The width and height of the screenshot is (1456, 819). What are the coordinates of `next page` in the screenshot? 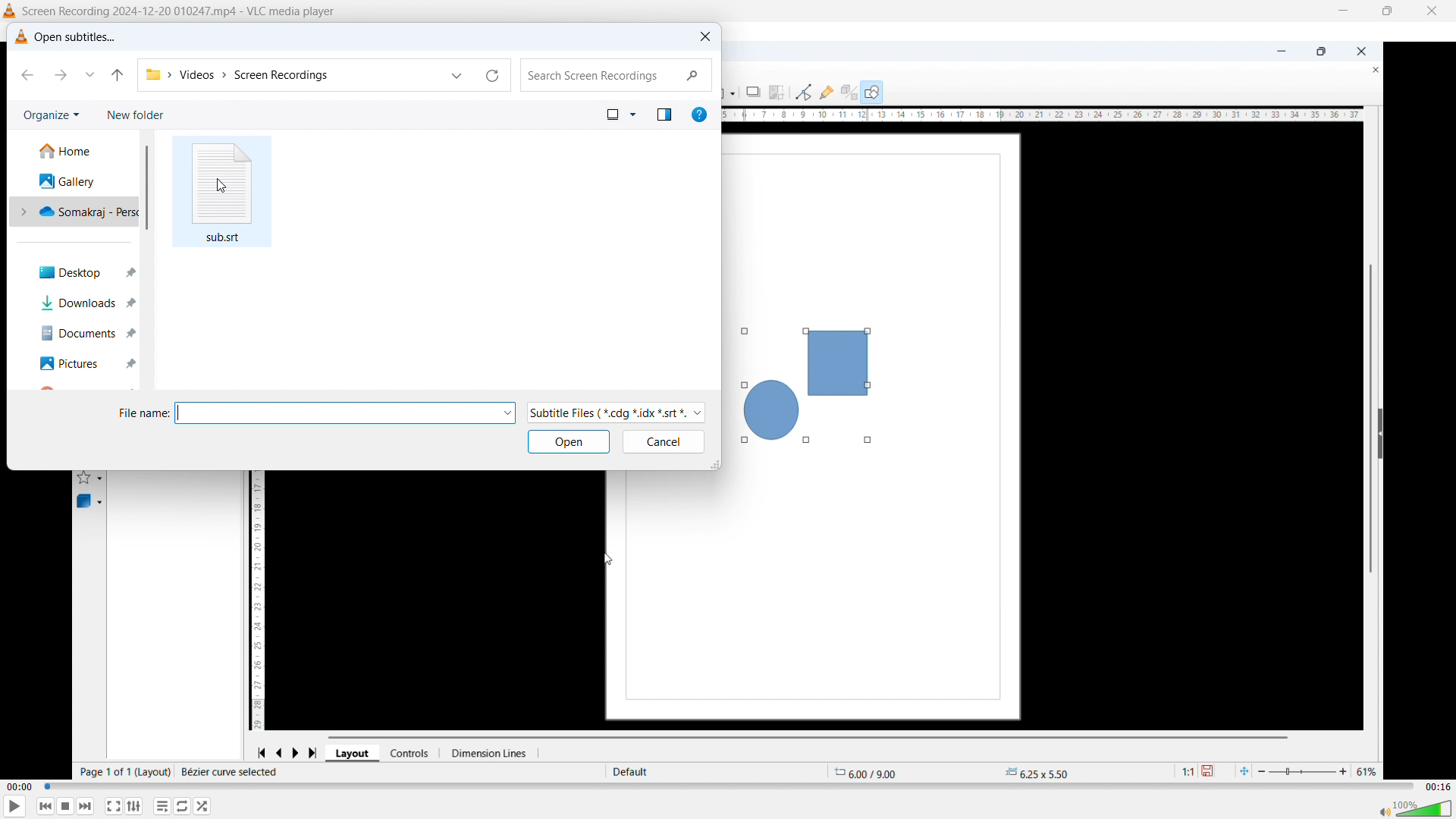 It's located at (301, 751).